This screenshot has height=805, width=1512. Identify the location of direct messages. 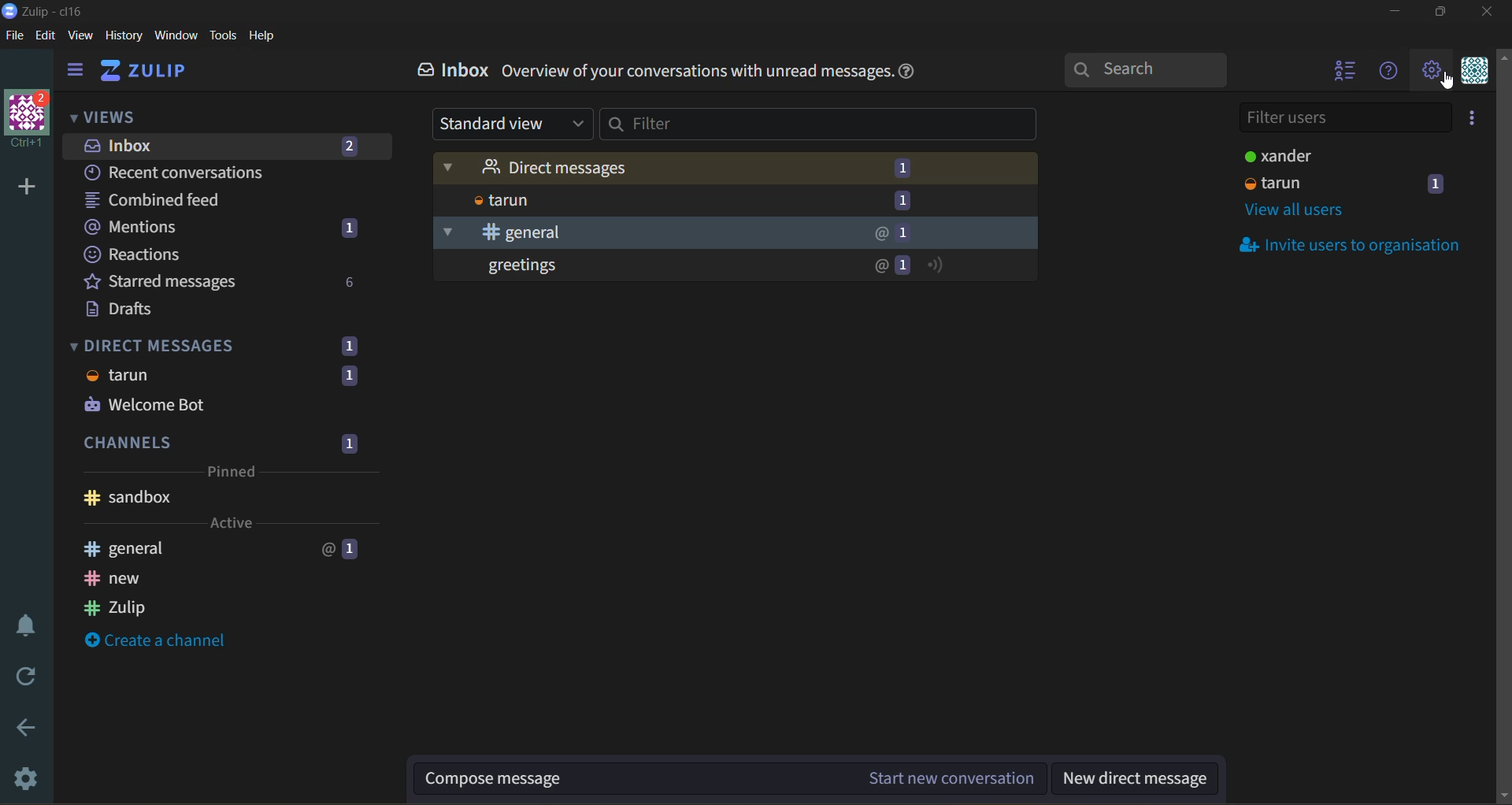
(732, 167).